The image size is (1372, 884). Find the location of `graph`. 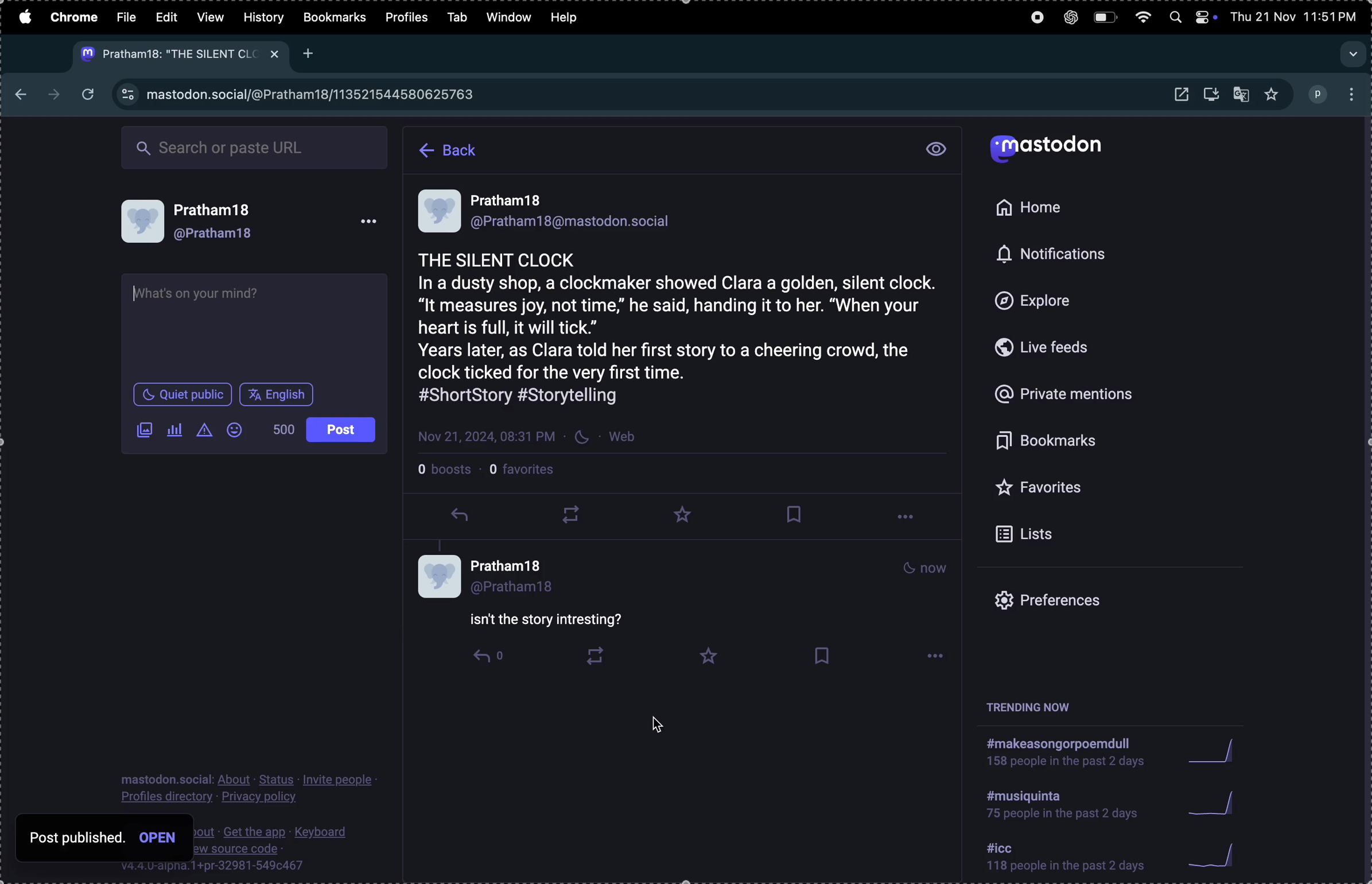

graph is located at coordinates (1217, 802).